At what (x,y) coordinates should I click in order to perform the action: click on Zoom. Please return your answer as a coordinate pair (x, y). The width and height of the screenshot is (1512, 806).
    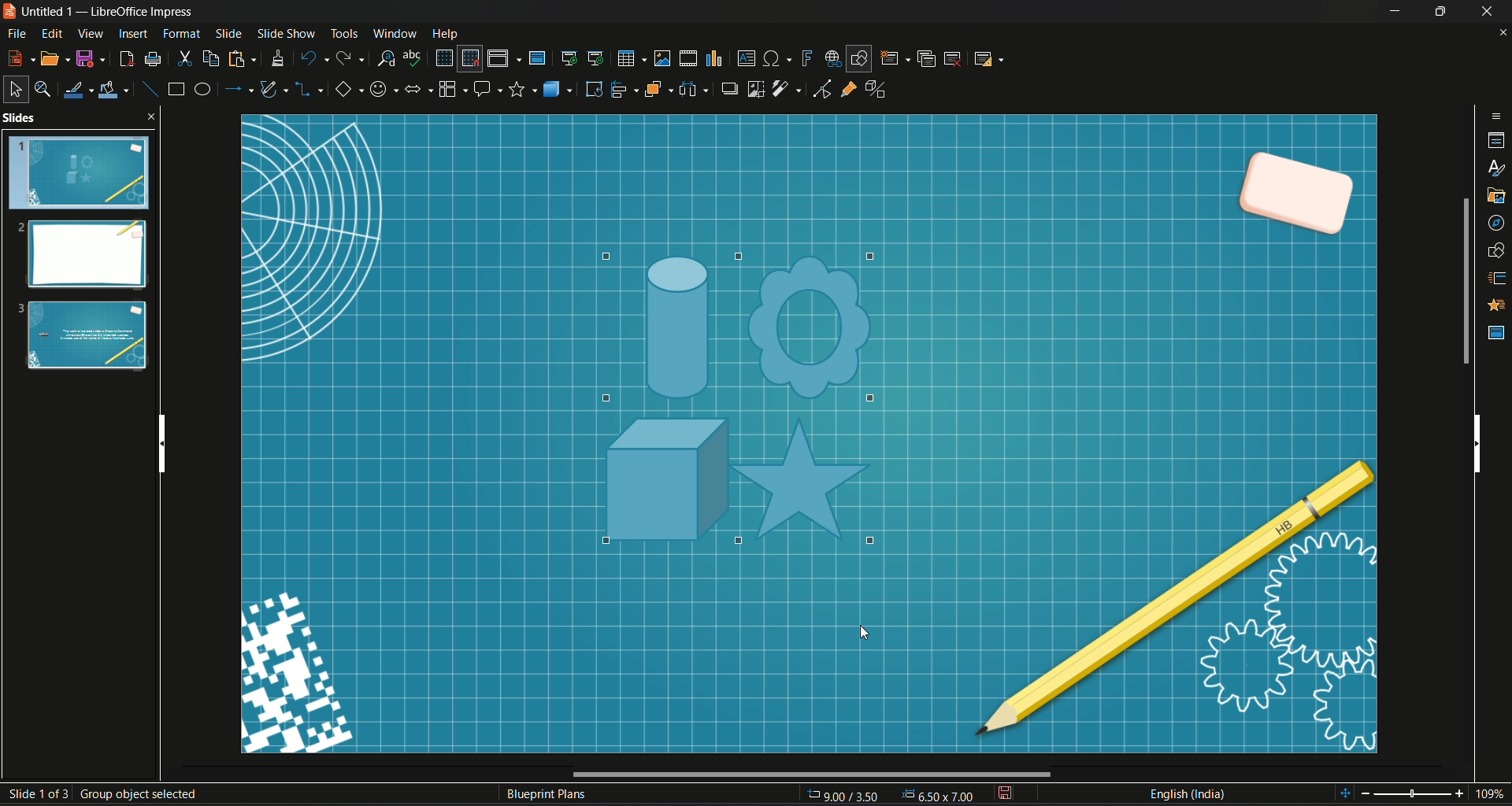
    Looking at the image, I should click on (1425, 794).